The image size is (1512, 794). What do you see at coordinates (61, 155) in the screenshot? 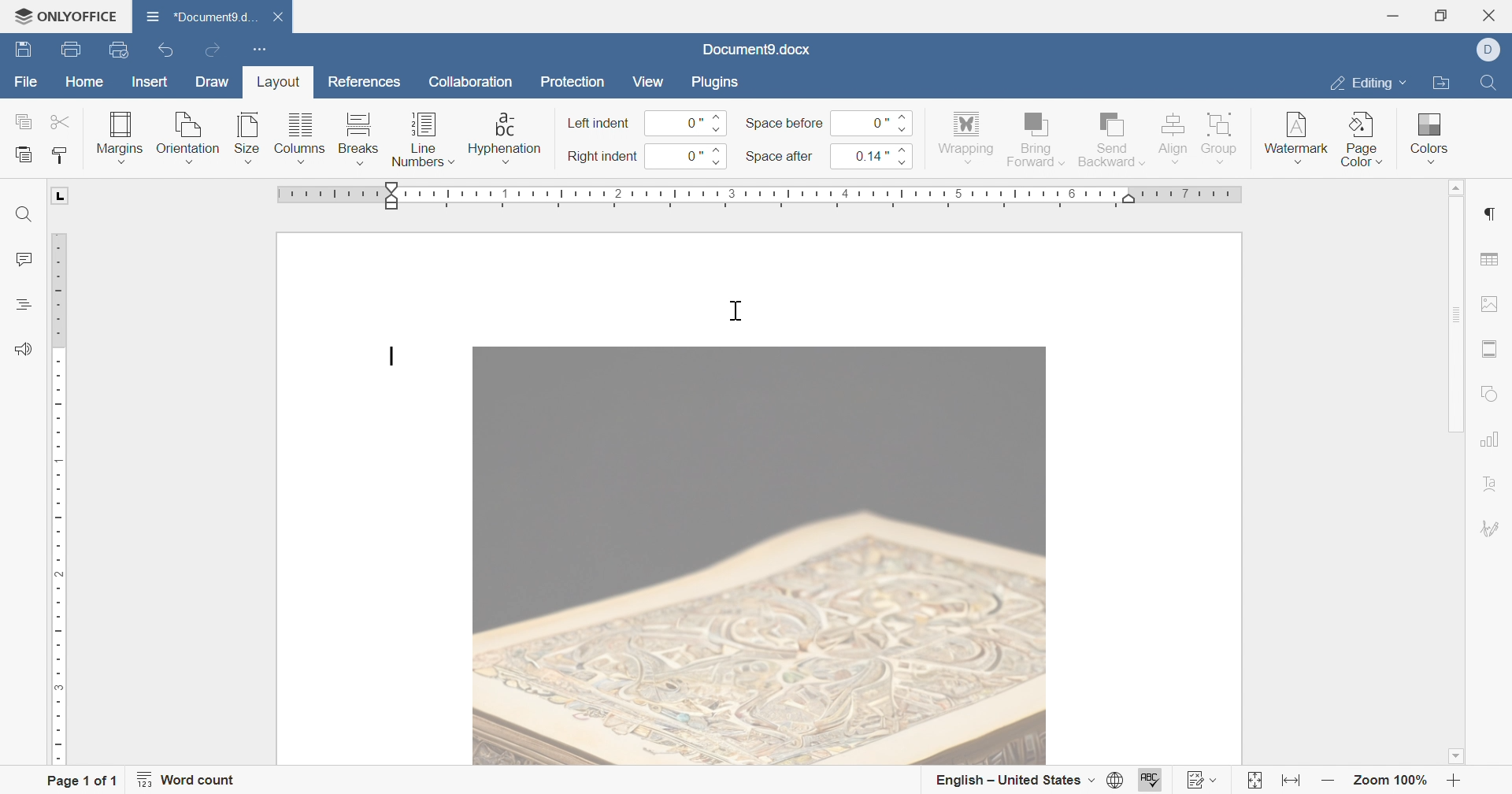
I see `copy style` at bounding box center [61, 155].